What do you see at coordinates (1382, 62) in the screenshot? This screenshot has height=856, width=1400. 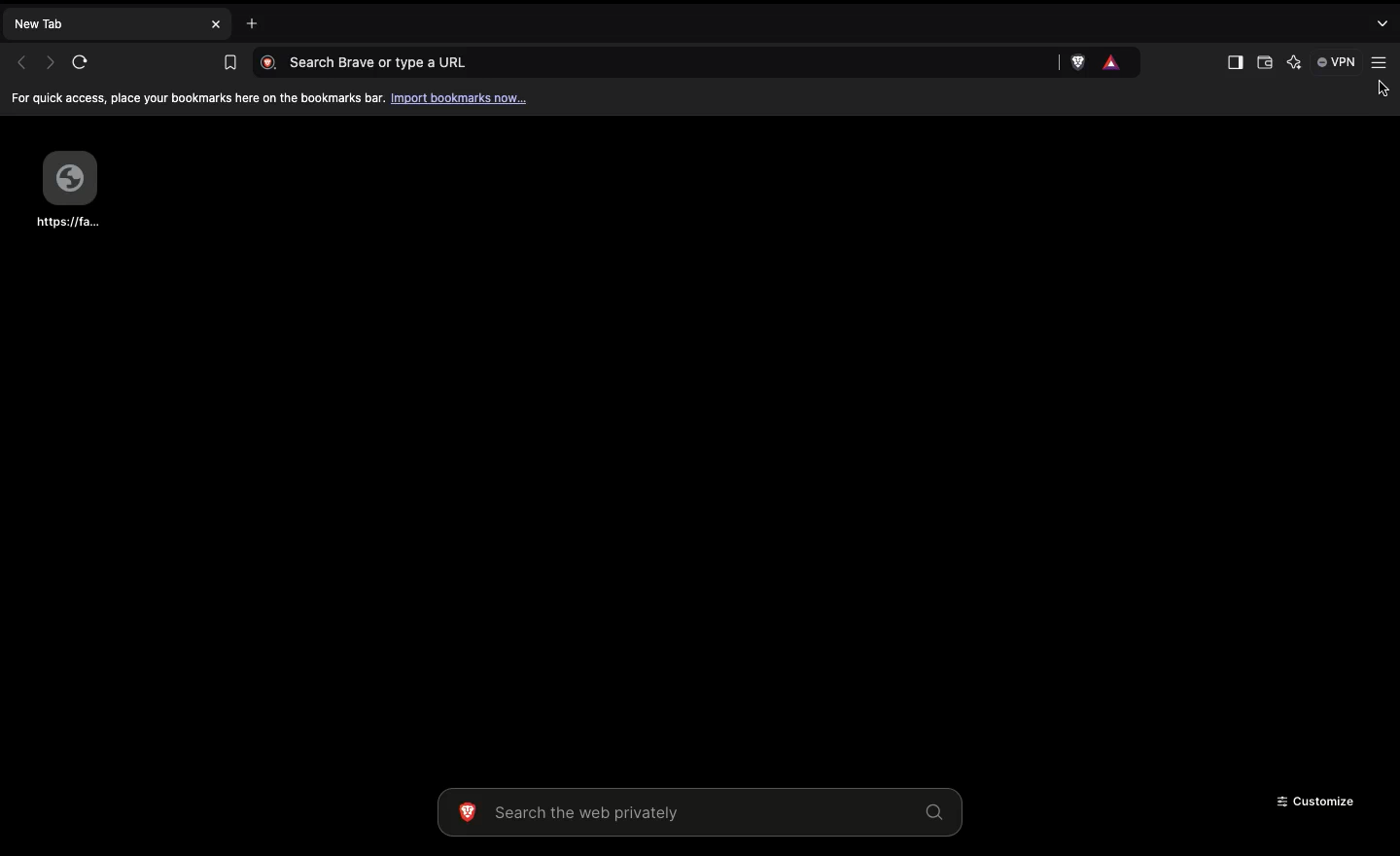 I see `Settings` at bounding box center [1382, 62].